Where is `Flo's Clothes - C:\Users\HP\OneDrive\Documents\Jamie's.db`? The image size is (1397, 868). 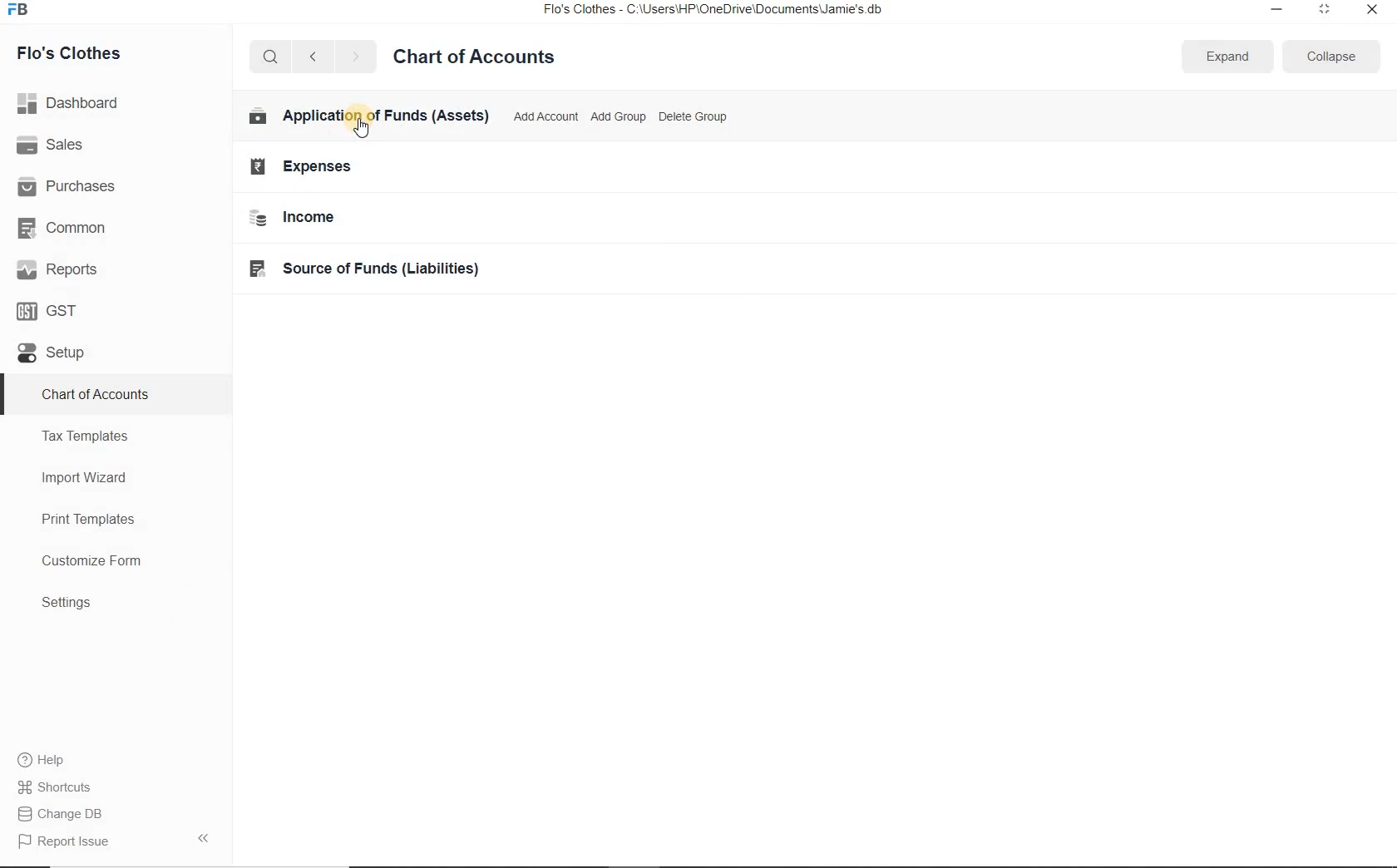
Flo's Clothes - C:\Users\HP\OneDrive\Documents\Jamie's.db is located at coordinates (714, 12).